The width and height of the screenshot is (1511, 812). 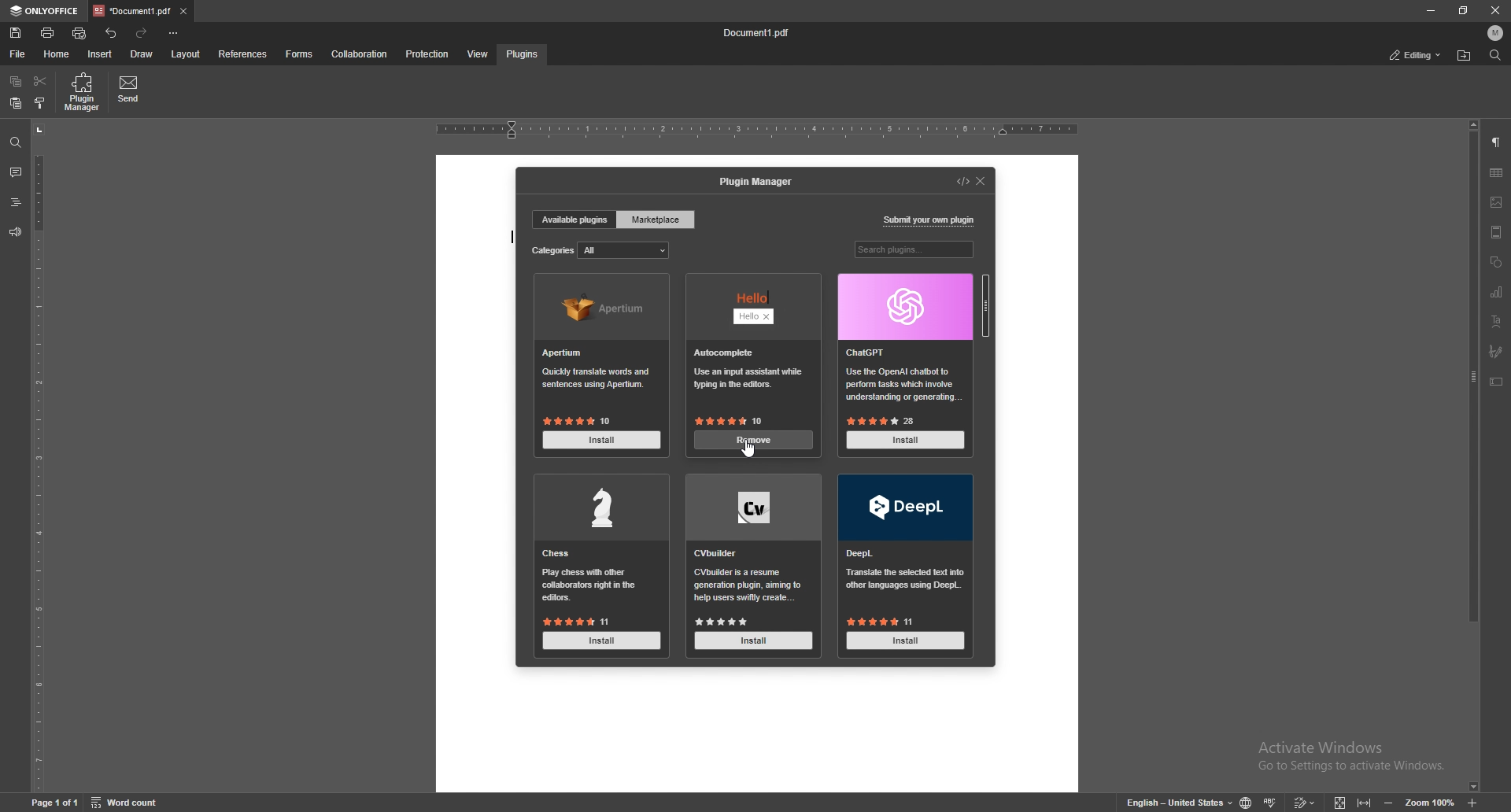 What do you see at coordinates (83, 91) in the screenshot?
I see `plugin manager` at bounding box center [83, 91].